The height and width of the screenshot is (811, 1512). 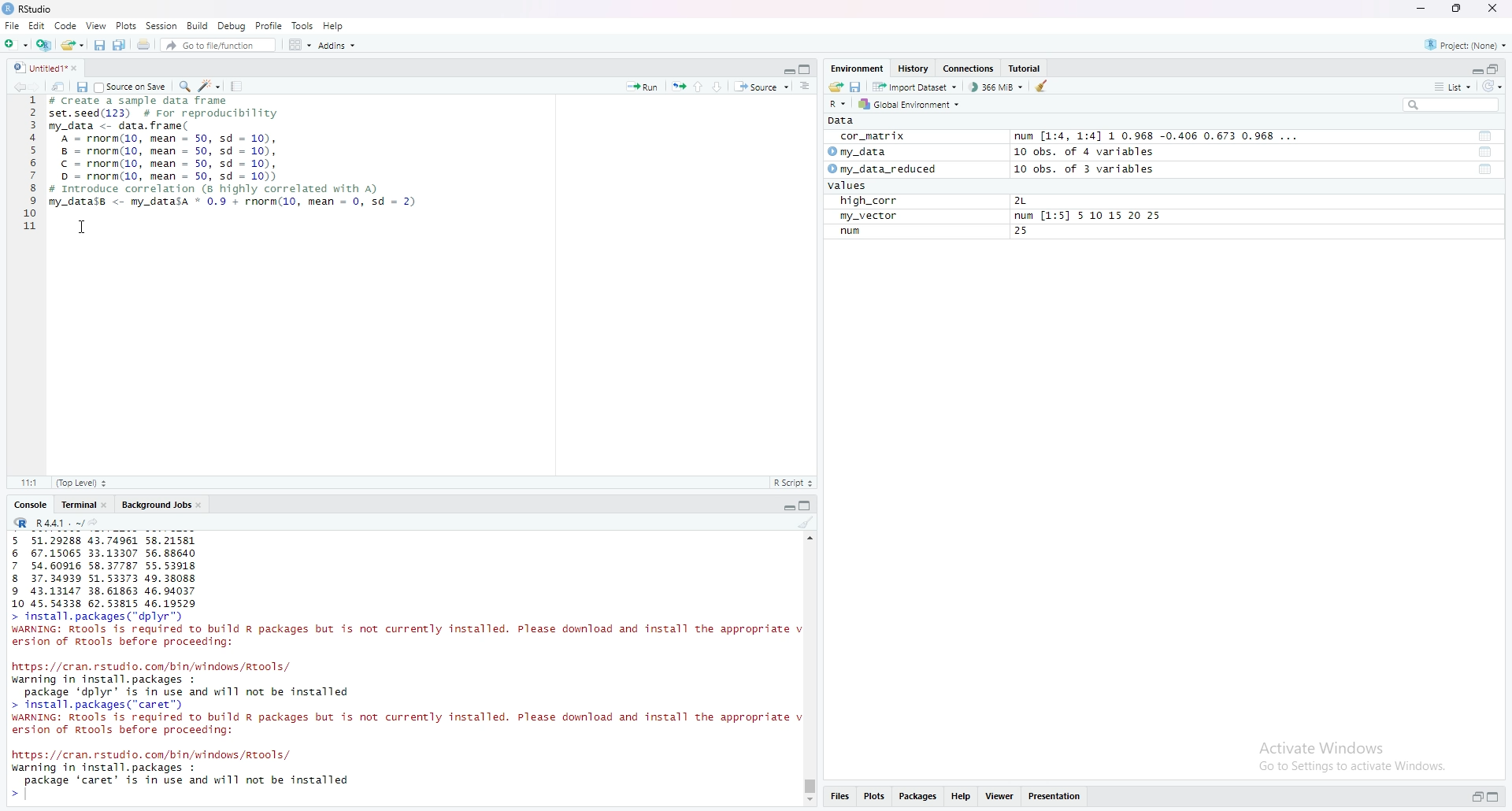 What do you see at coordinates (857, 87) in the screenshot?
I see `save` at bounding box center [857, 87].